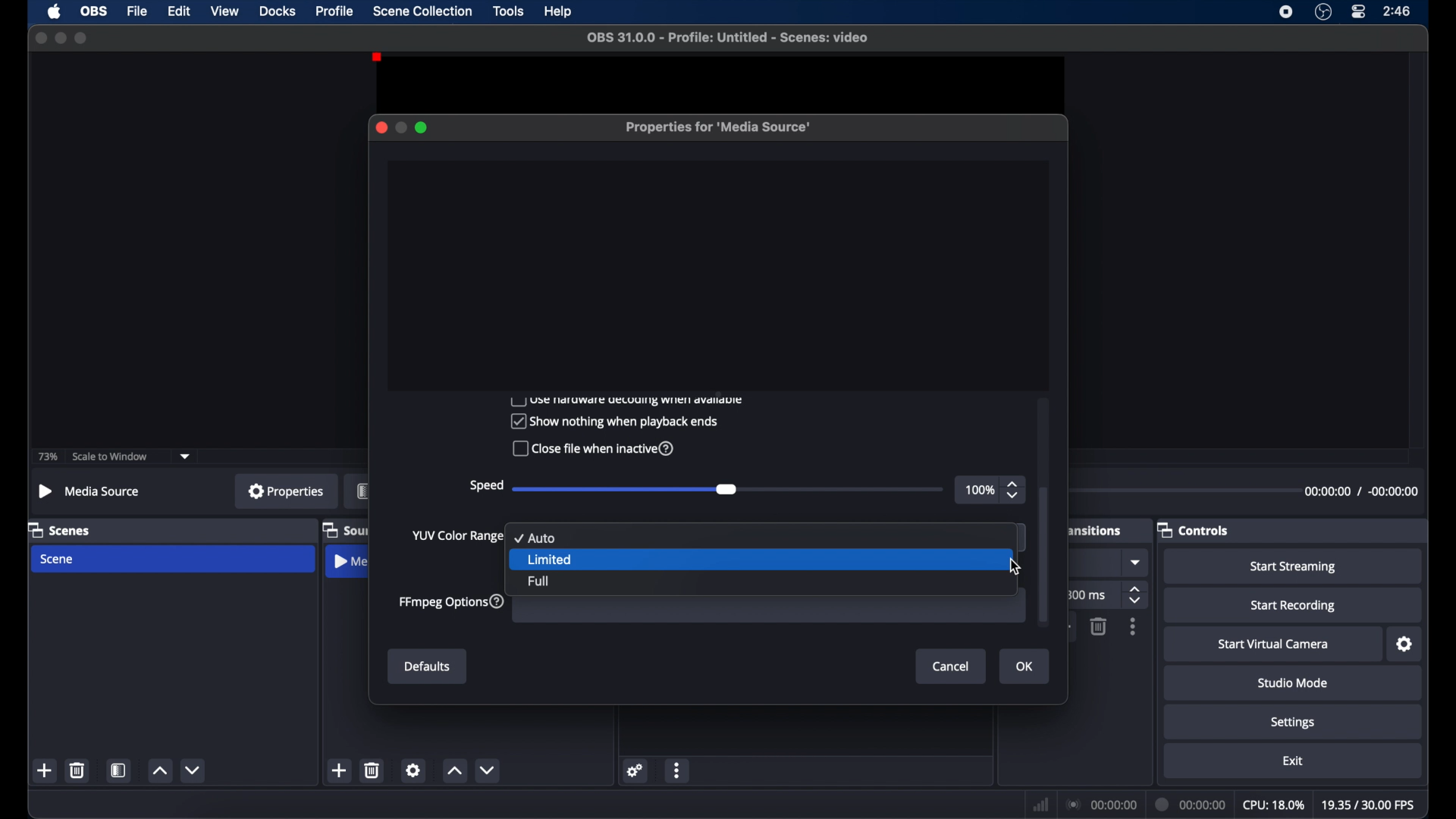 The height and width of the screenshot is (819, 1456). Describe the element at coordinates (88, 491) in the screenshot. I see `media source` at that location.